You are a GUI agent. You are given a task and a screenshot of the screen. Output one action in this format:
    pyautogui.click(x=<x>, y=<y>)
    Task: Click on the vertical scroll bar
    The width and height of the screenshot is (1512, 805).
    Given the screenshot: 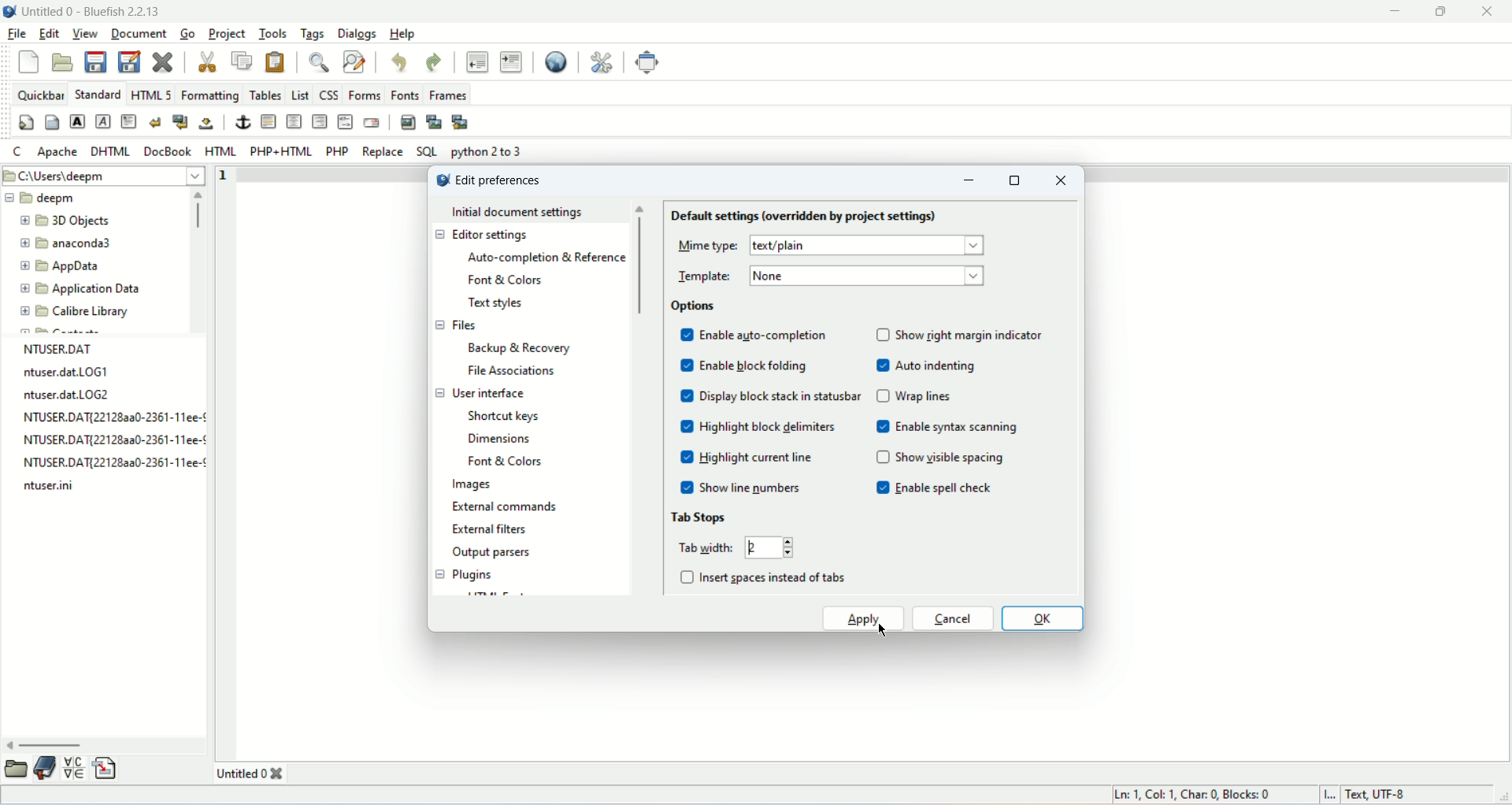 What is the action you would take?
    pyautogui.click(x=641, y=266)
    